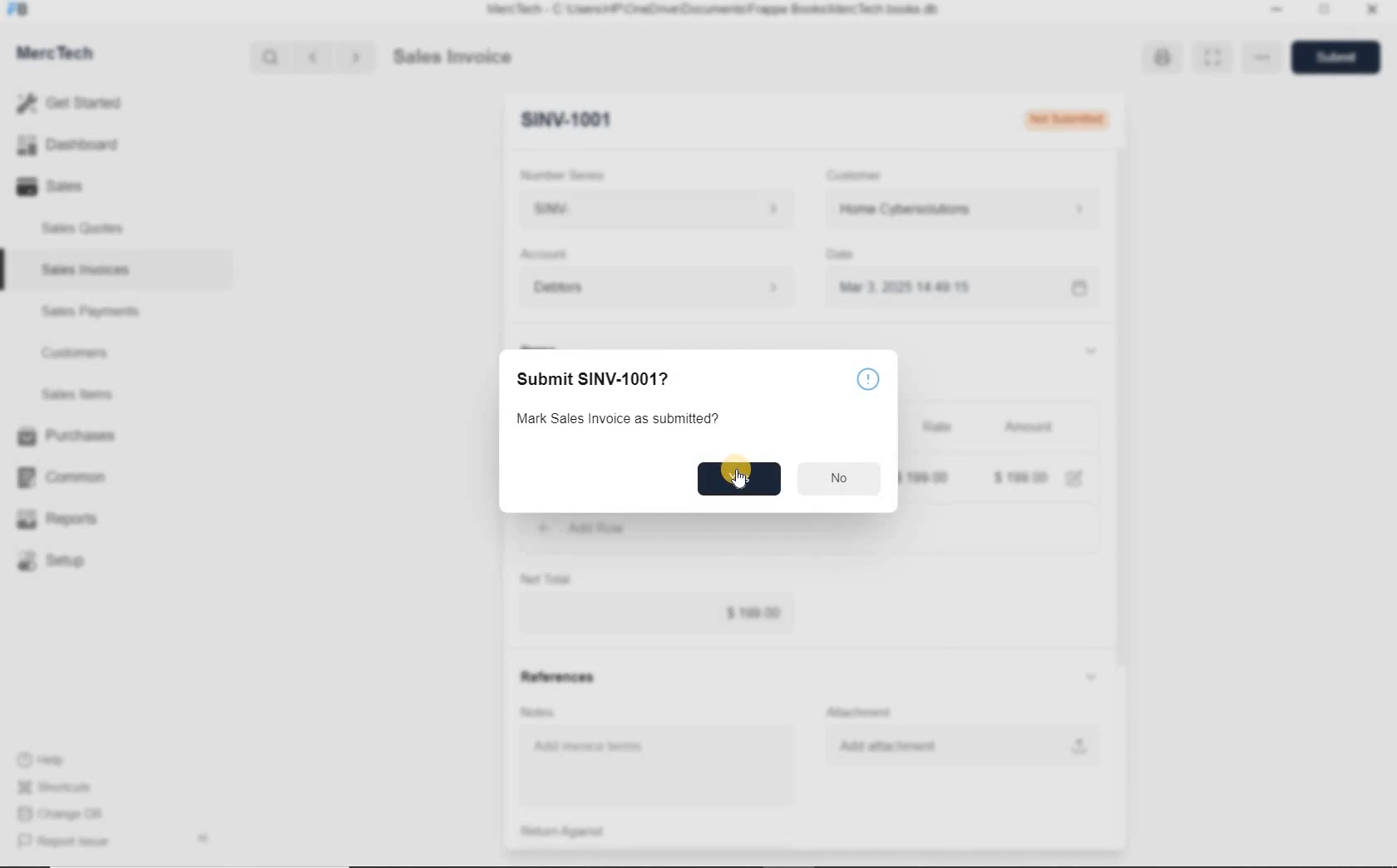 The image size is (1397, 868). Describe the element at coordinates (1340, 57) in the screenshot. I see `Save` at that location.